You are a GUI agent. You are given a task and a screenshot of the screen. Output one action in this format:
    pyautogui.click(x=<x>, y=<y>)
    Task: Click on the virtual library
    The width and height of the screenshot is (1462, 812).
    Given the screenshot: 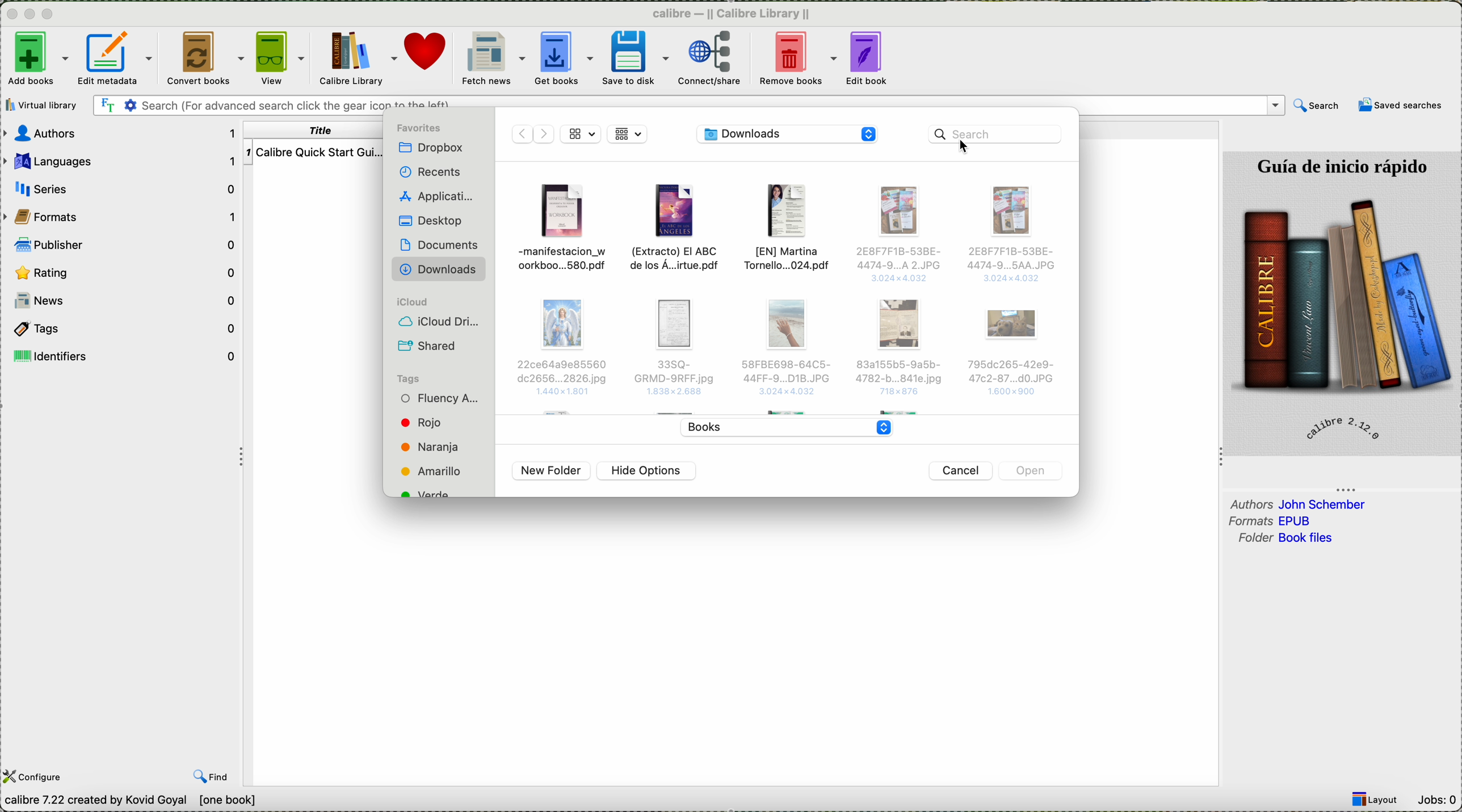 What is the action you would take?
    pyautogui.click(x=42, y=106)
    